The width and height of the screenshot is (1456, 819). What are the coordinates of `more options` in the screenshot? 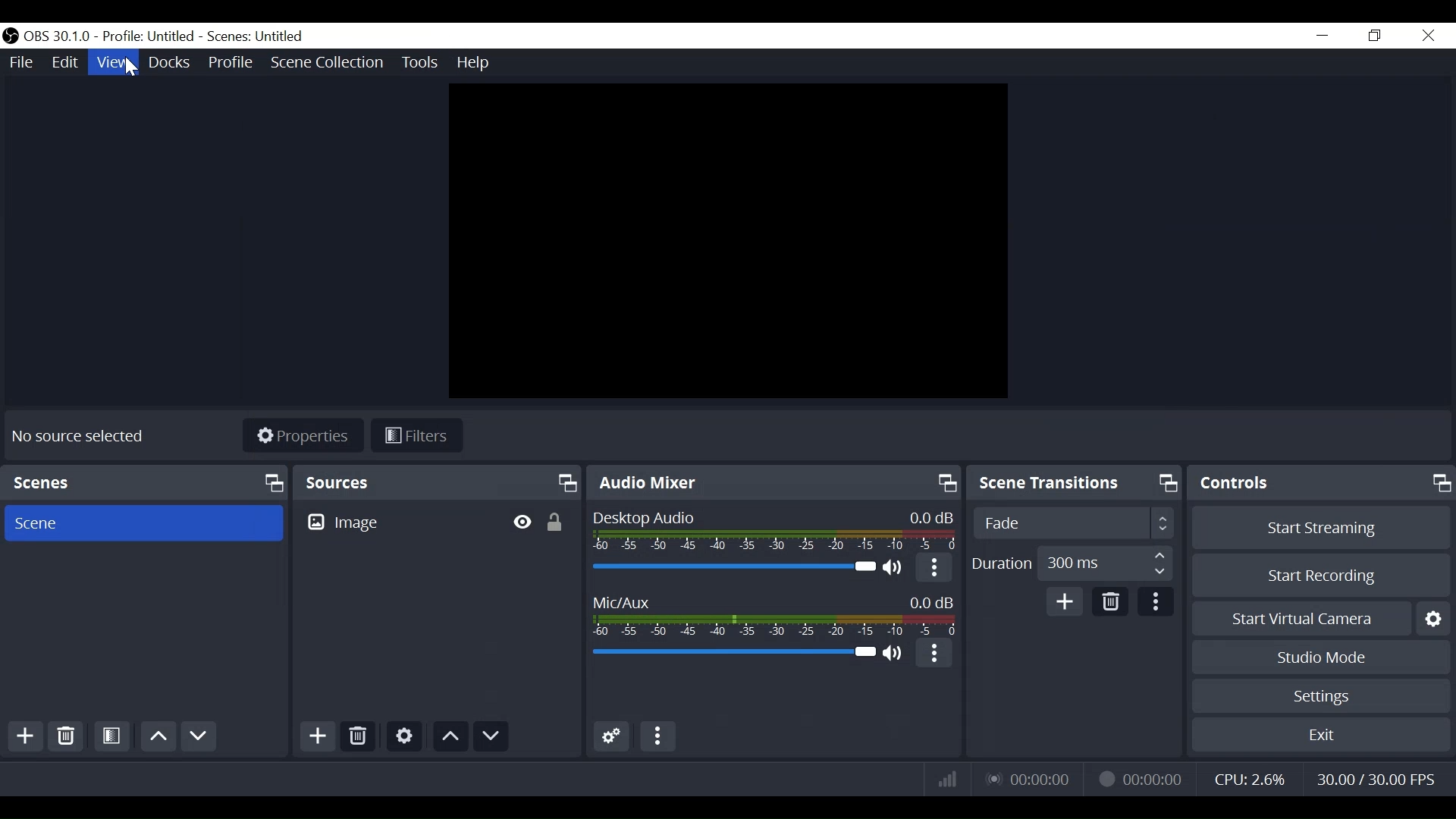 It's located at (1153, 604).